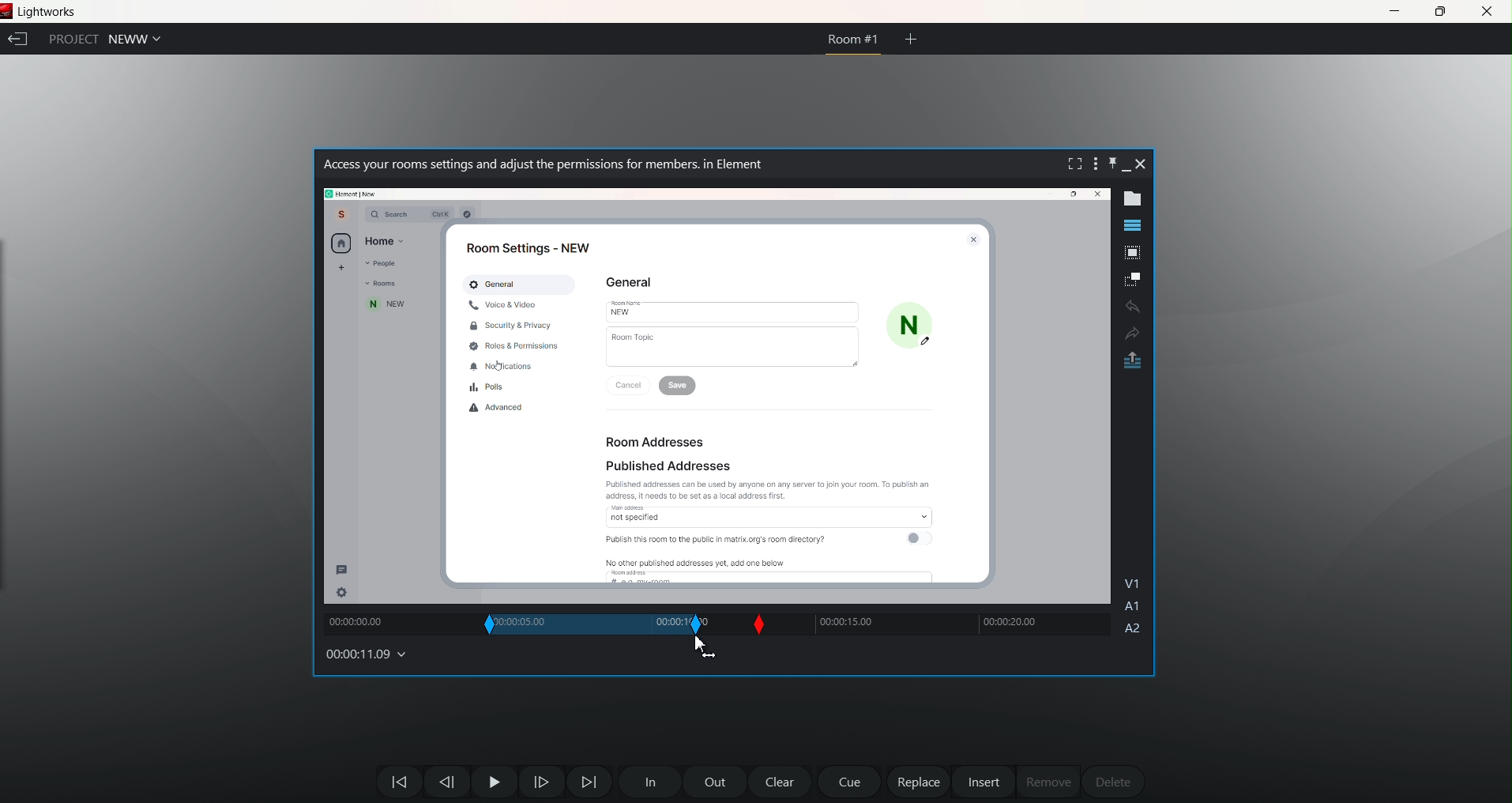 This screenshot has height=803, width=1512. Describe the element at coordinates (341, 215) in the screenshot. I see `Account` at that location.